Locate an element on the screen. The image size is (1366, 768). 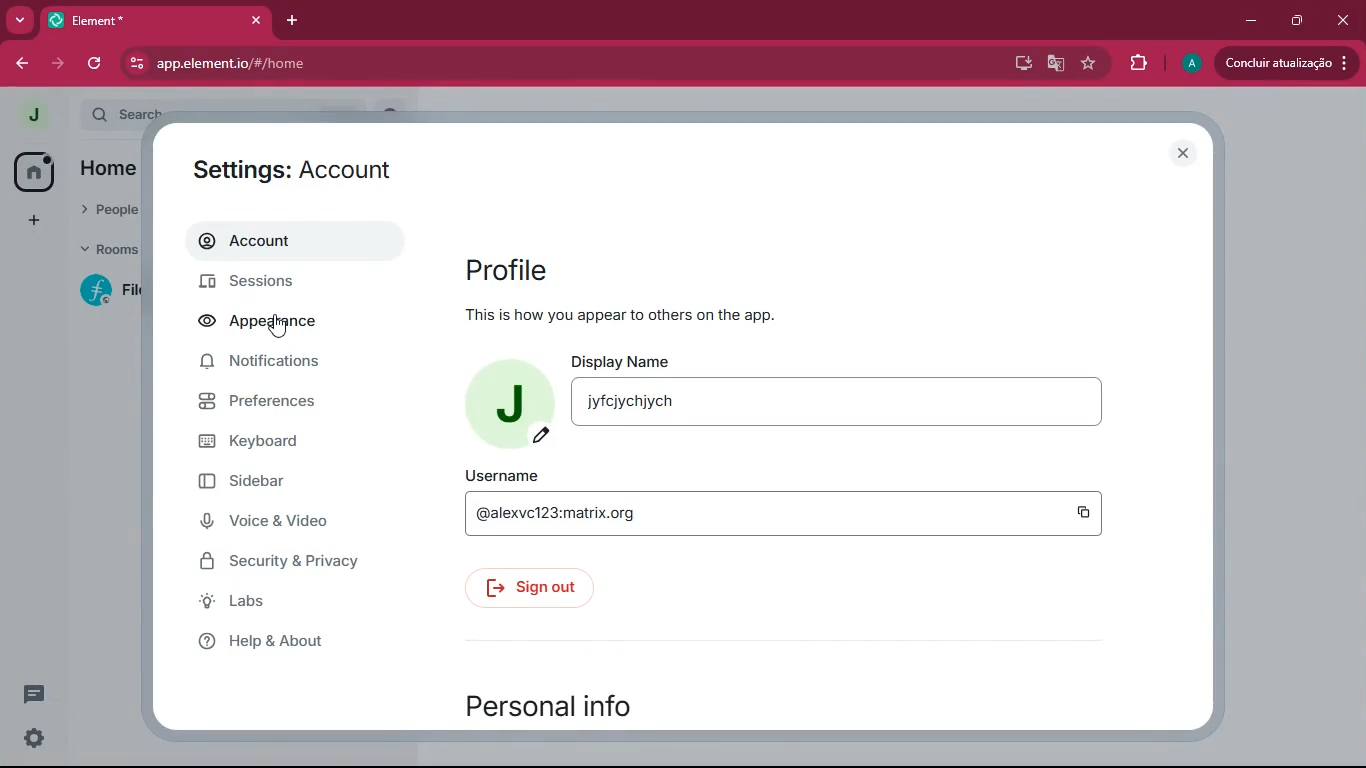
forward is located at coordinates (55, 64).